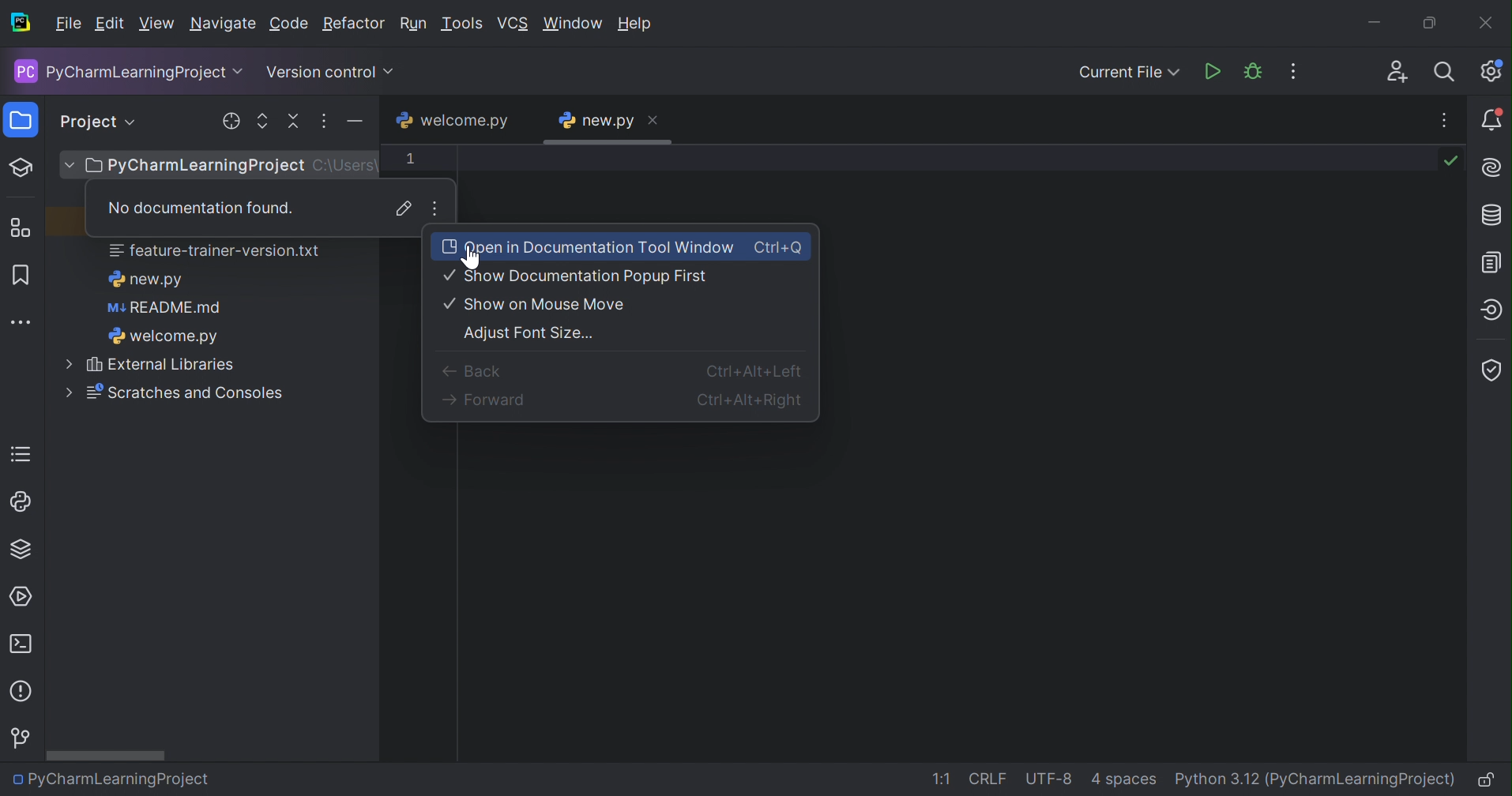 Image resolution: width=1512 pixels, height=796 pixels. I want to click on Current FIle, so click(1130, 73).